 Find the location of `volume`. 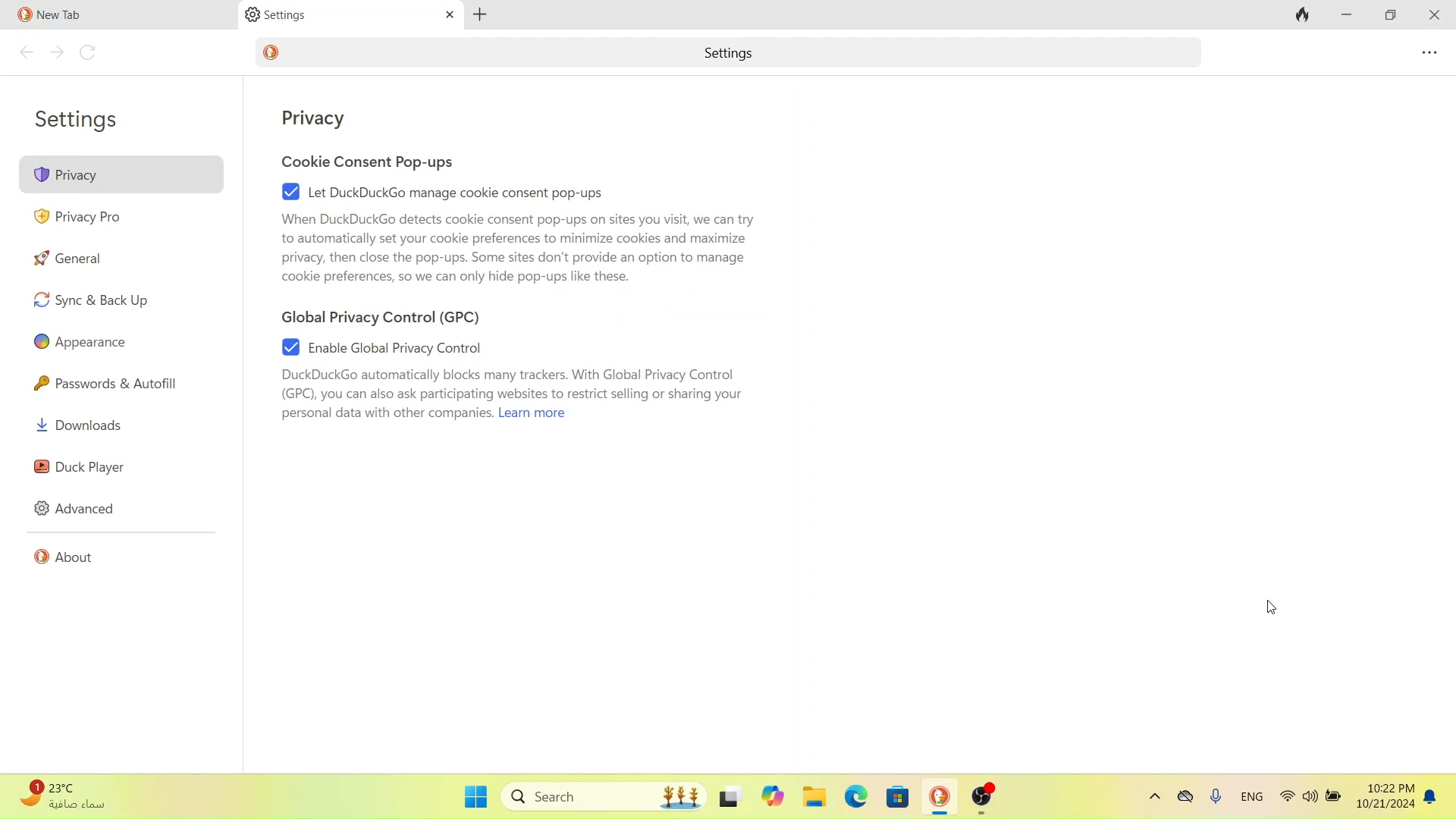

volume is located at coordinates (1309, 803).